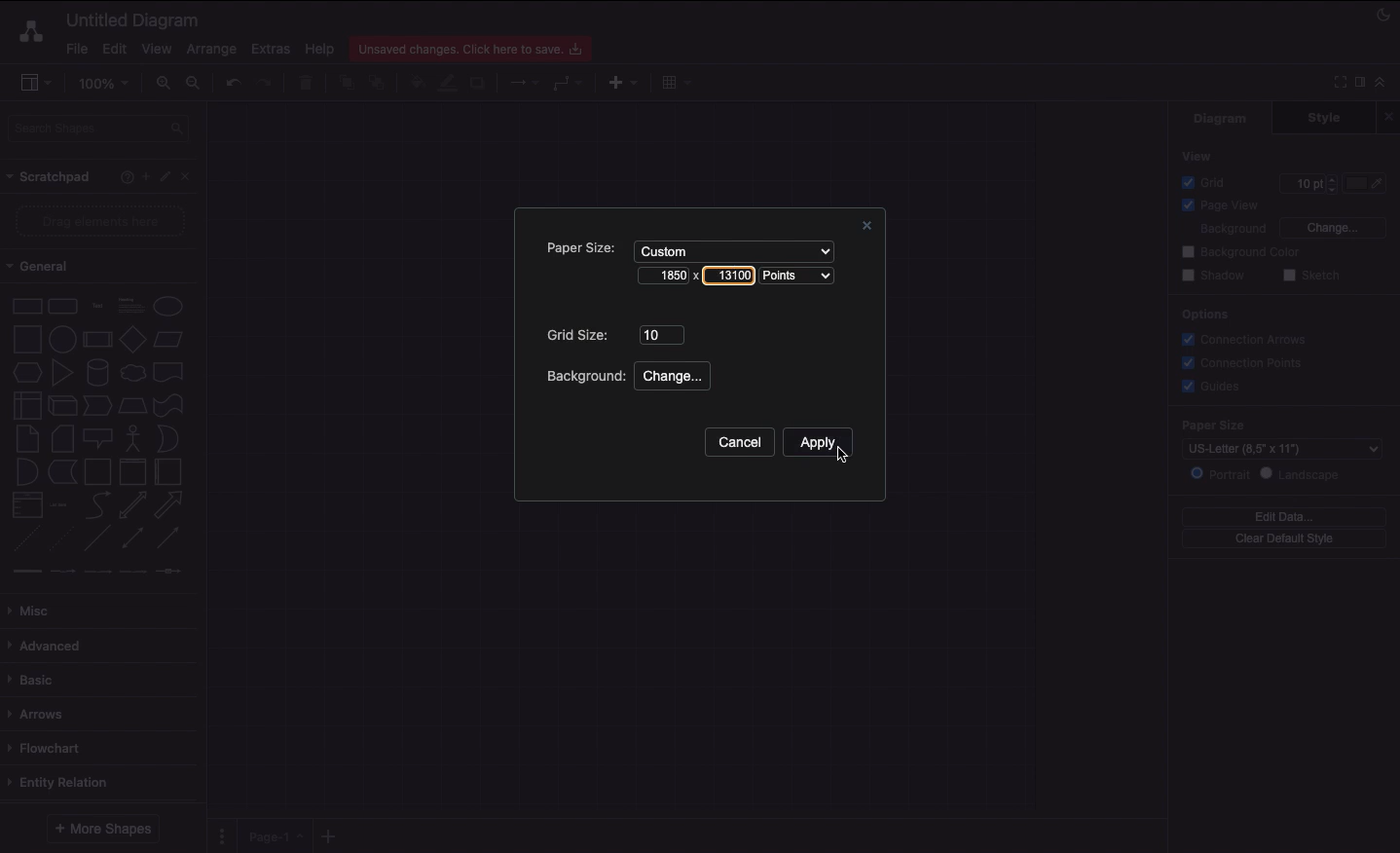 Image resolution: width=1400 pixels, height=853 pixels. I want to click on Table, so click(674, 81).